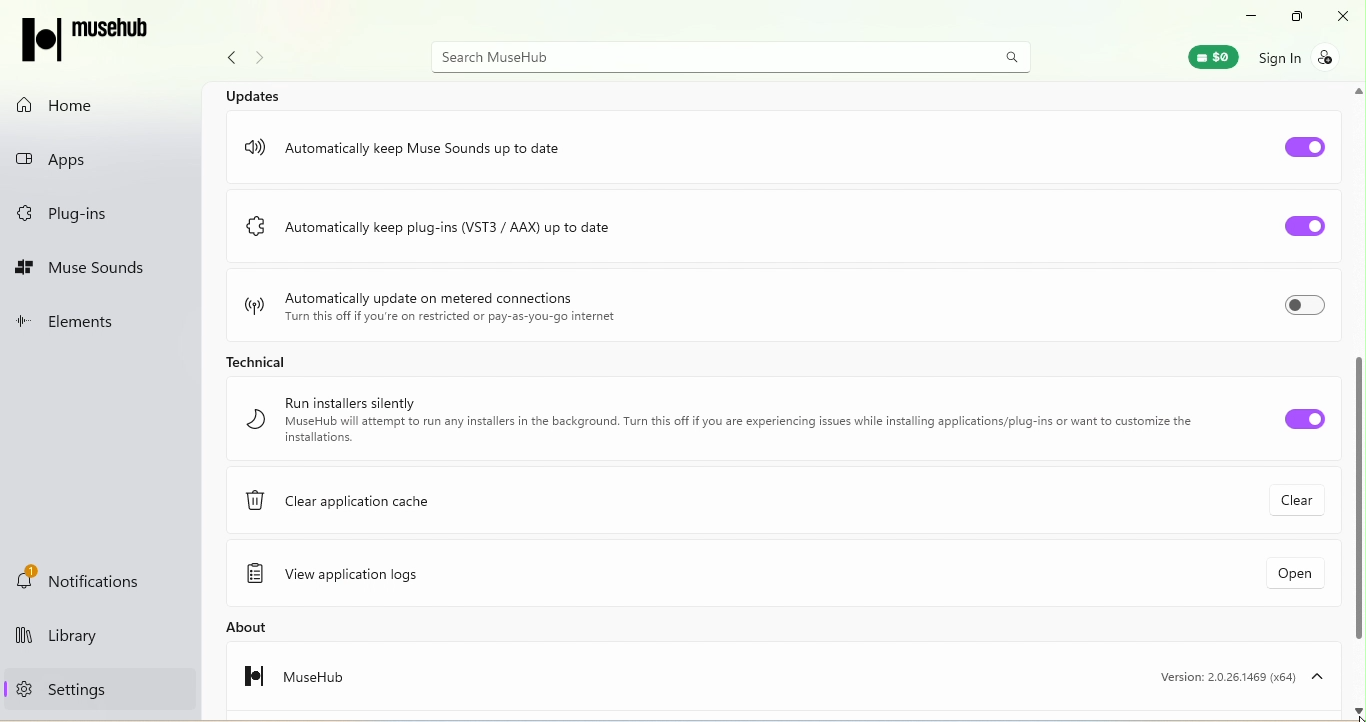 This screenshot has height=722, width=1366. What do you see at coordinates (1244, 14) in the screenshot?
I see `minimize` at bounding box center [1244, 14].